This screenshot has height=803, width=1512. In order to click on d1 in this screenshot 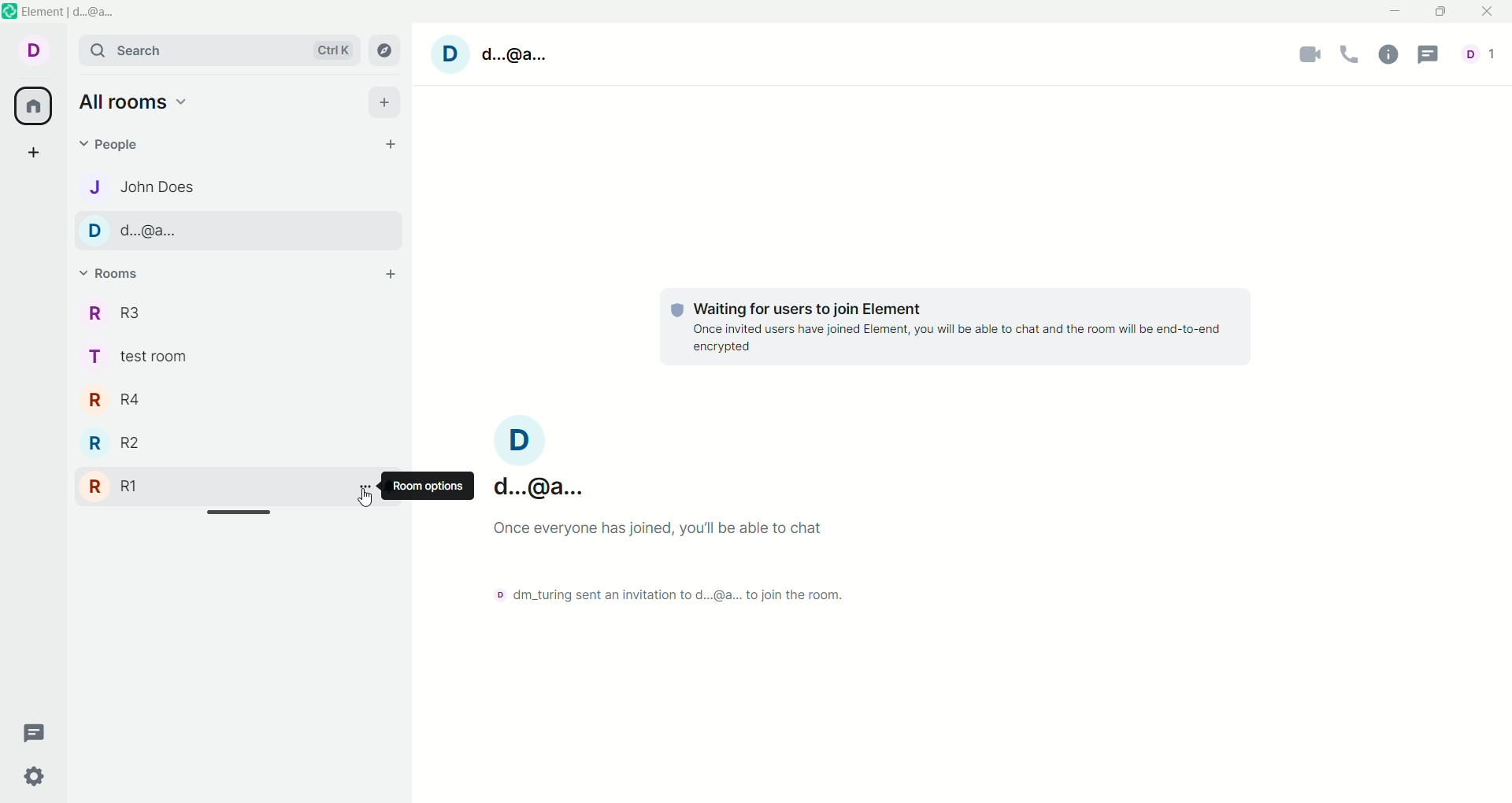, I will do `click(1480, 58)`.